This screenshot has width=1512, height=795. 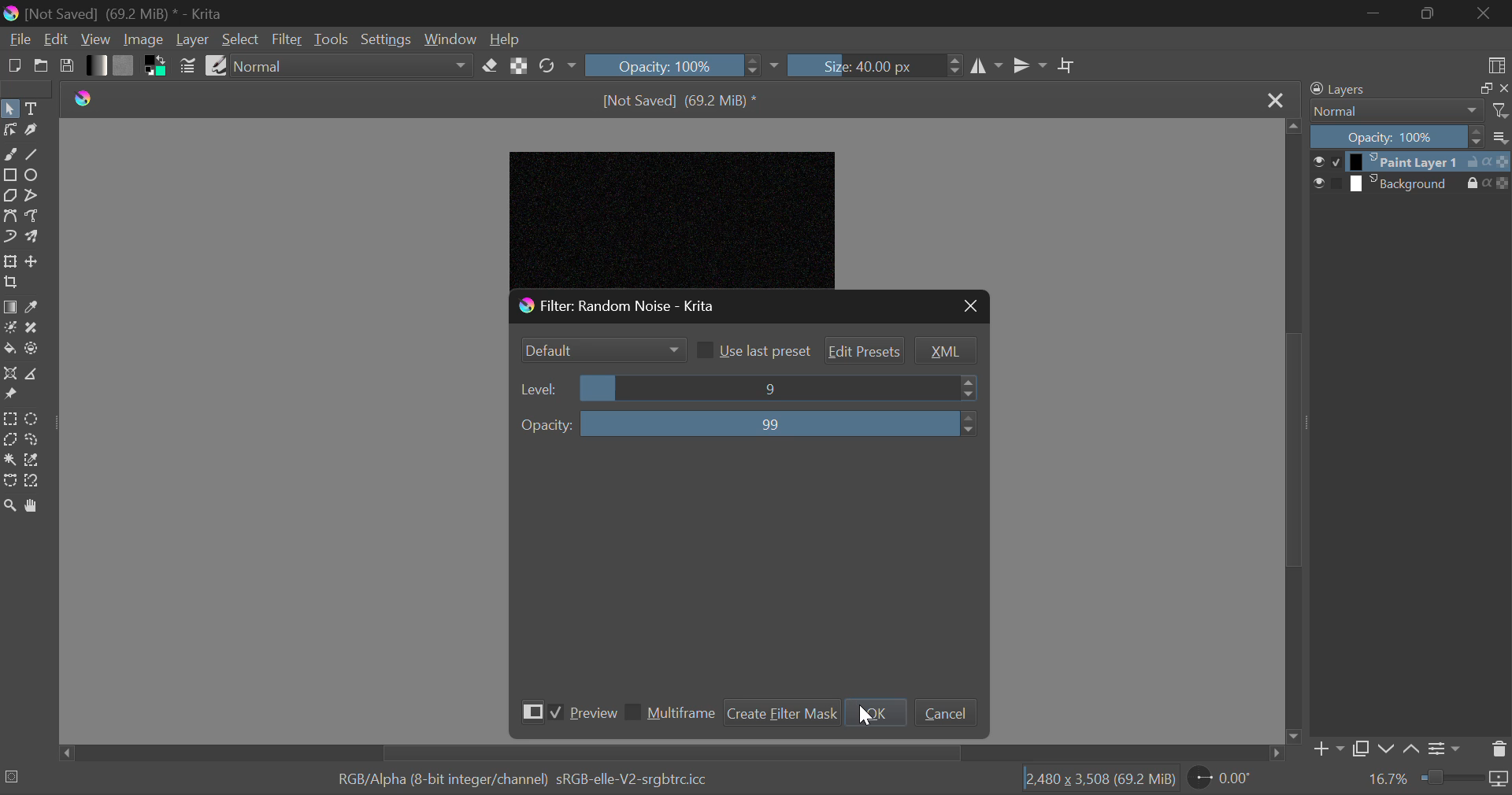 What do you see at coordinates (670, 753) in the screenshot?
I see `Scroll Bar` at bounding box center [670, 753].